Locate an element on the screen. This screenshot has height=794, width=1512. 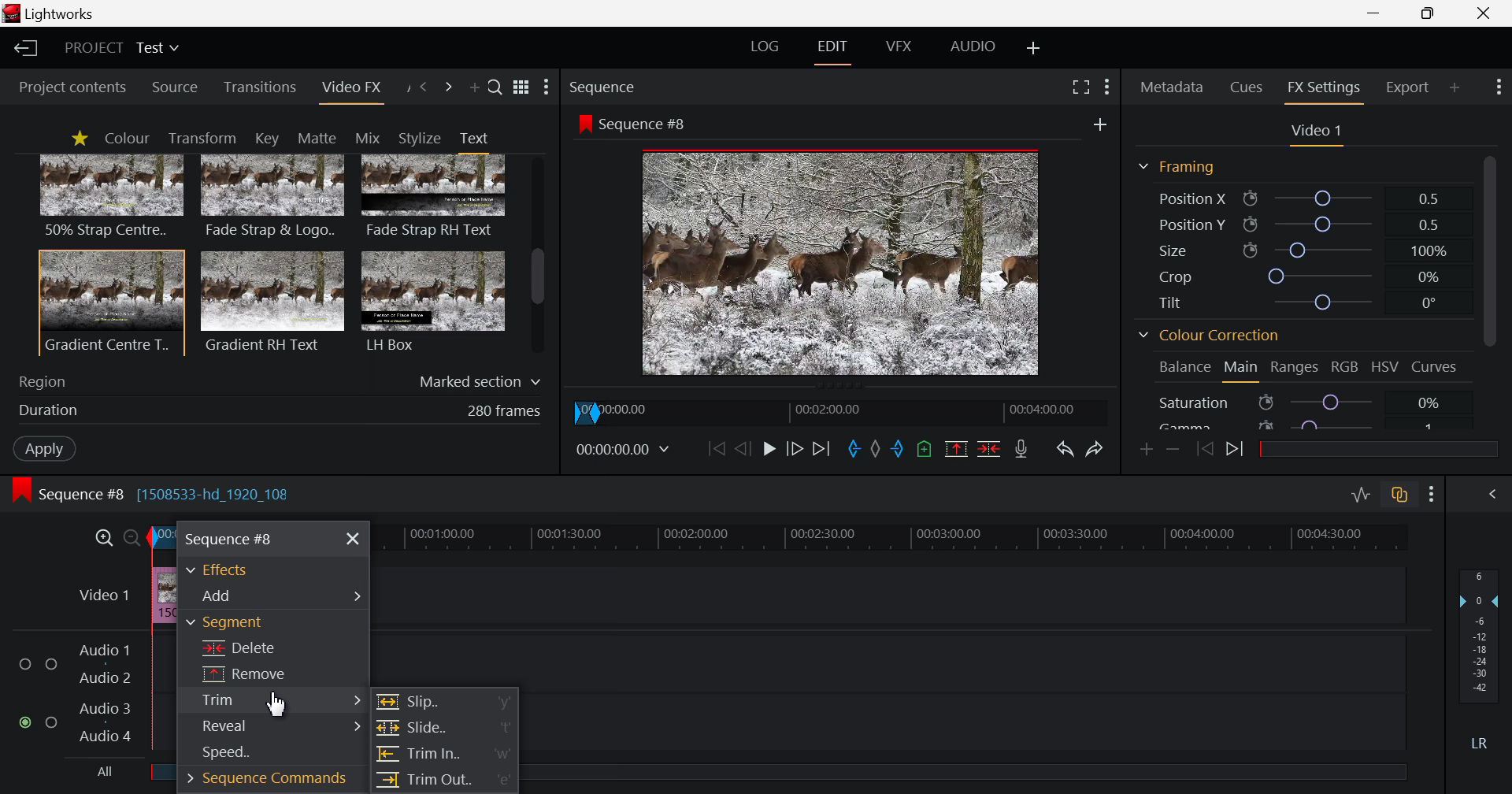
Gamma is located at coordinates (1298, 423).